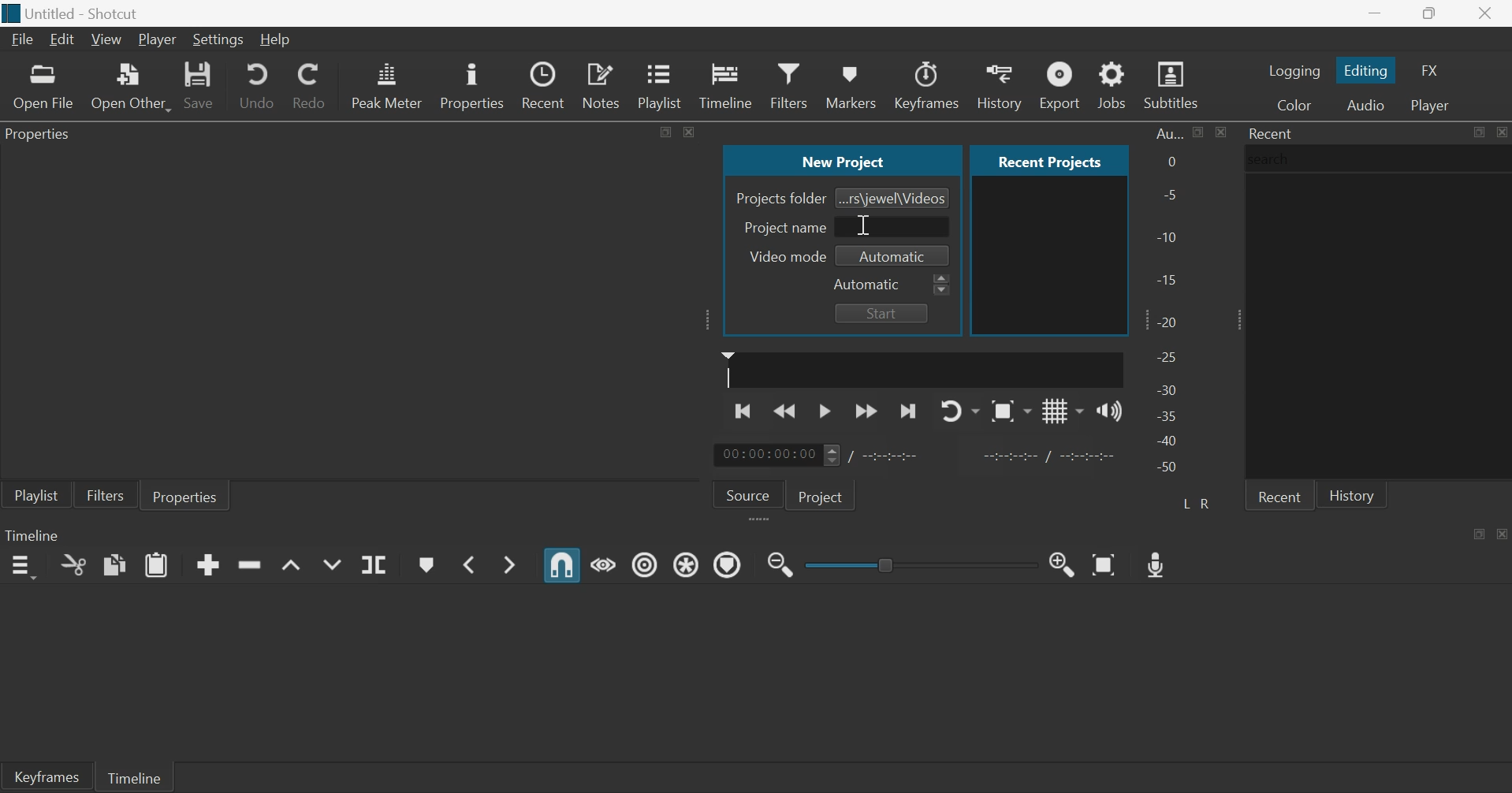 The height and width of the screenshot is (793, 1512). Describe the element at coordinates (44, 87) in the screenshot. I see `Open a video, audio, image or project file` at that location.